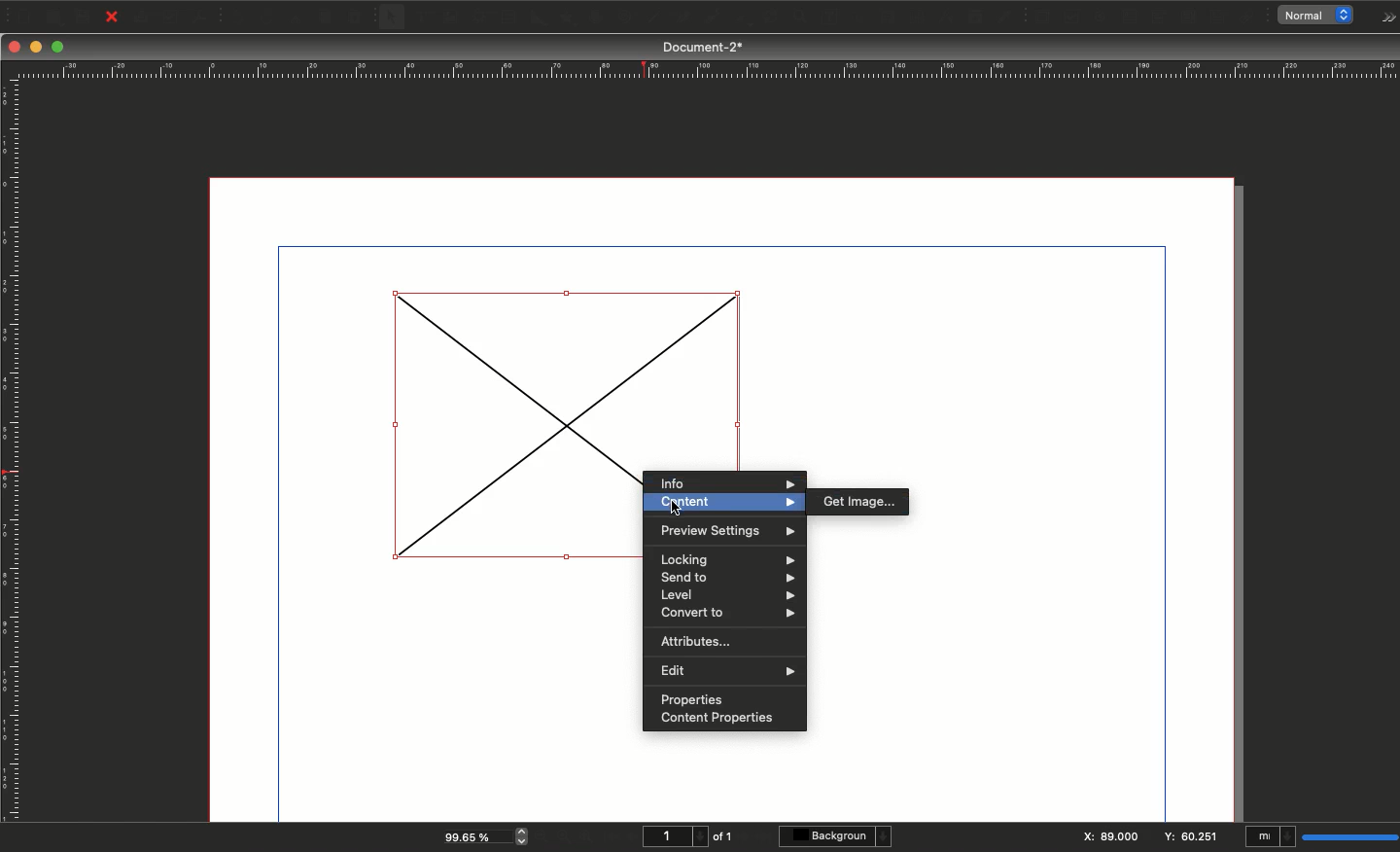 The image size is (1400, 852). What do you see at coordinates (491, 426) in the screenshot?
I see `Image inserter` at bounding box center [491, 426].